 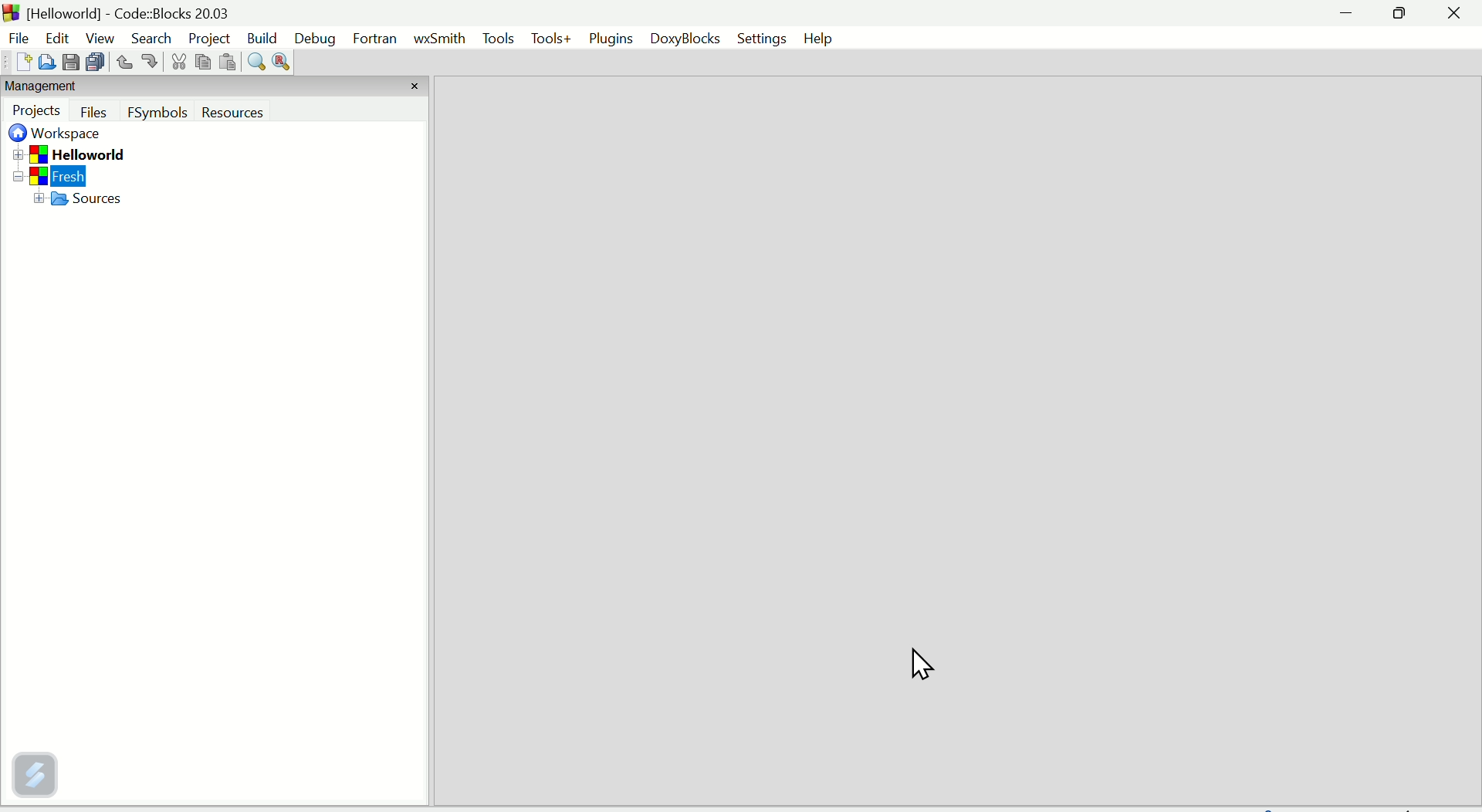 What do you see at coordinates (611, 40) in the screenshot?
I see `Plugins` at bounding box center [611, 40].